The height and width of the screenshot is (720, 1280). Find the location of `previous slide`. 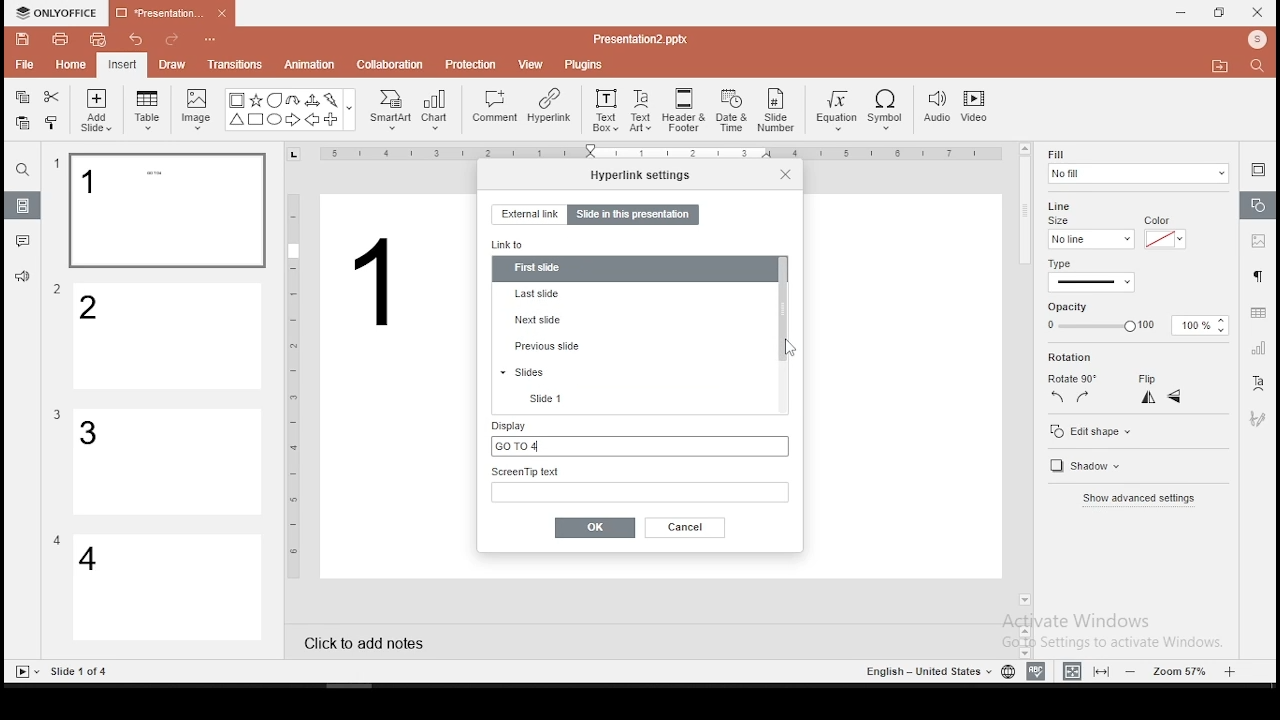

previous slide is located at coordinates (633, 347).